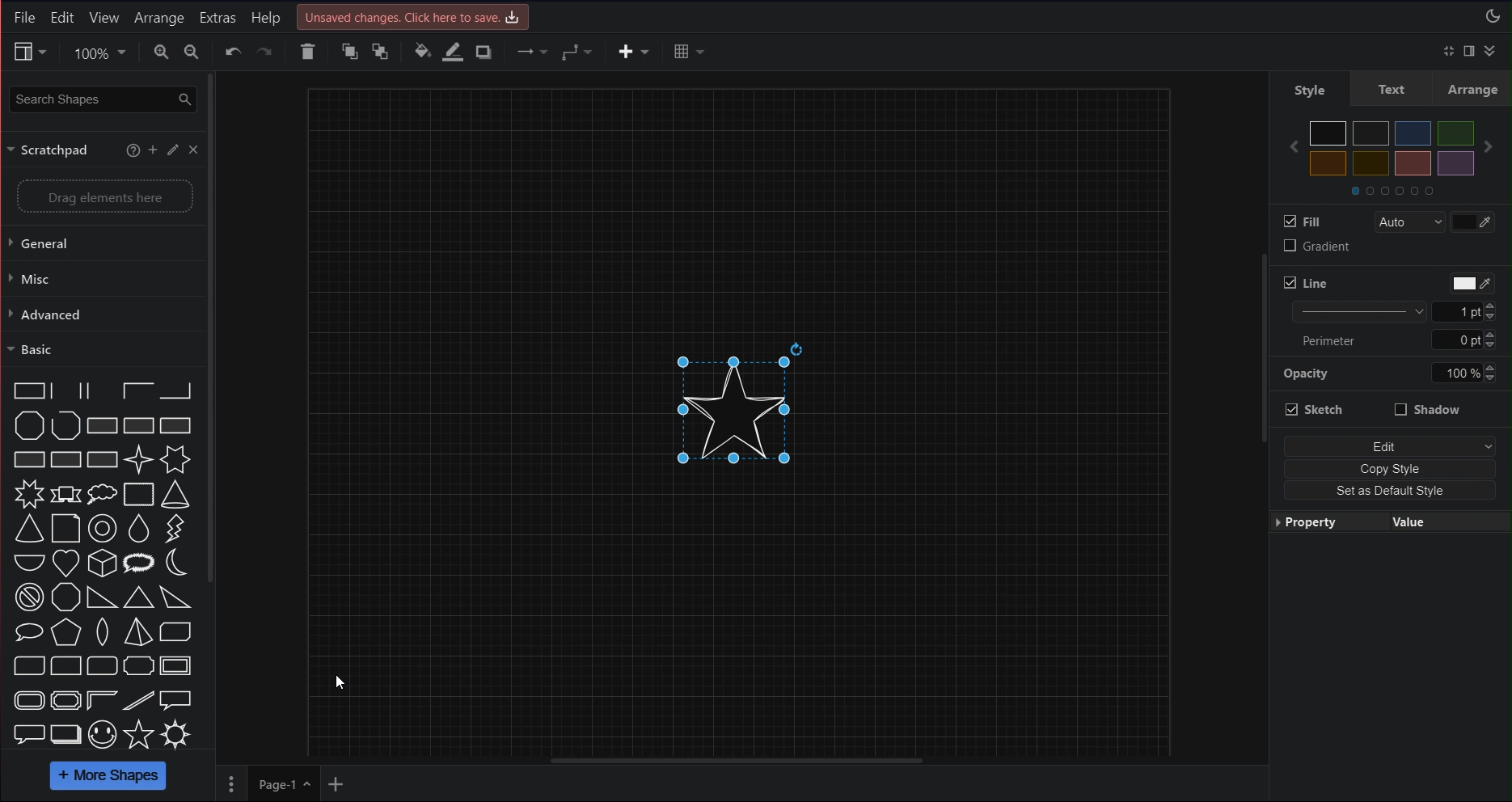 This screenshot has width=1512, height=802. I want to click on Zoom Out, so click(192, 52).